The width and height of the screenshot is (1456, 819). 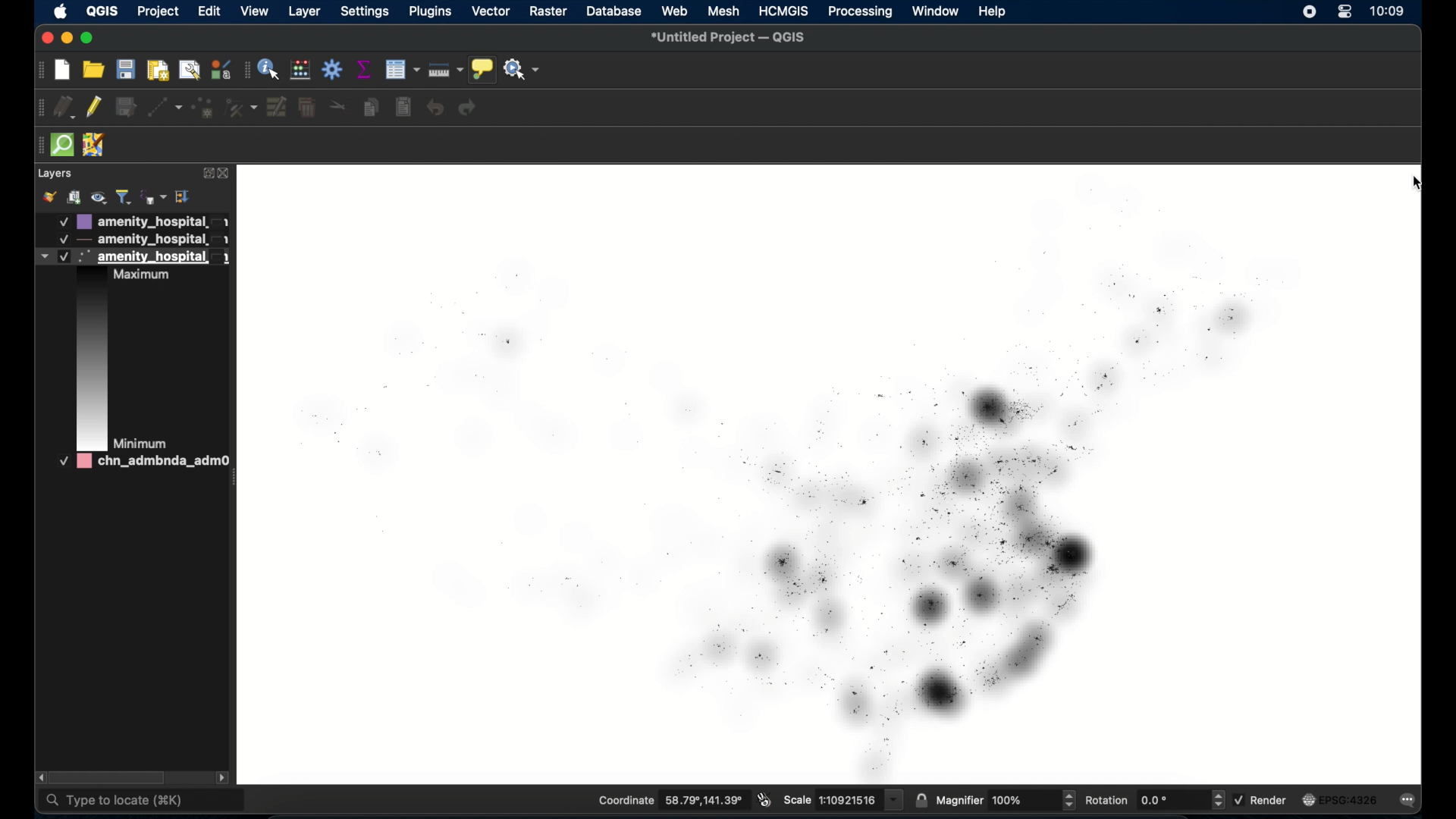 I want to click on toggle editing, so click(x=95, y=108).